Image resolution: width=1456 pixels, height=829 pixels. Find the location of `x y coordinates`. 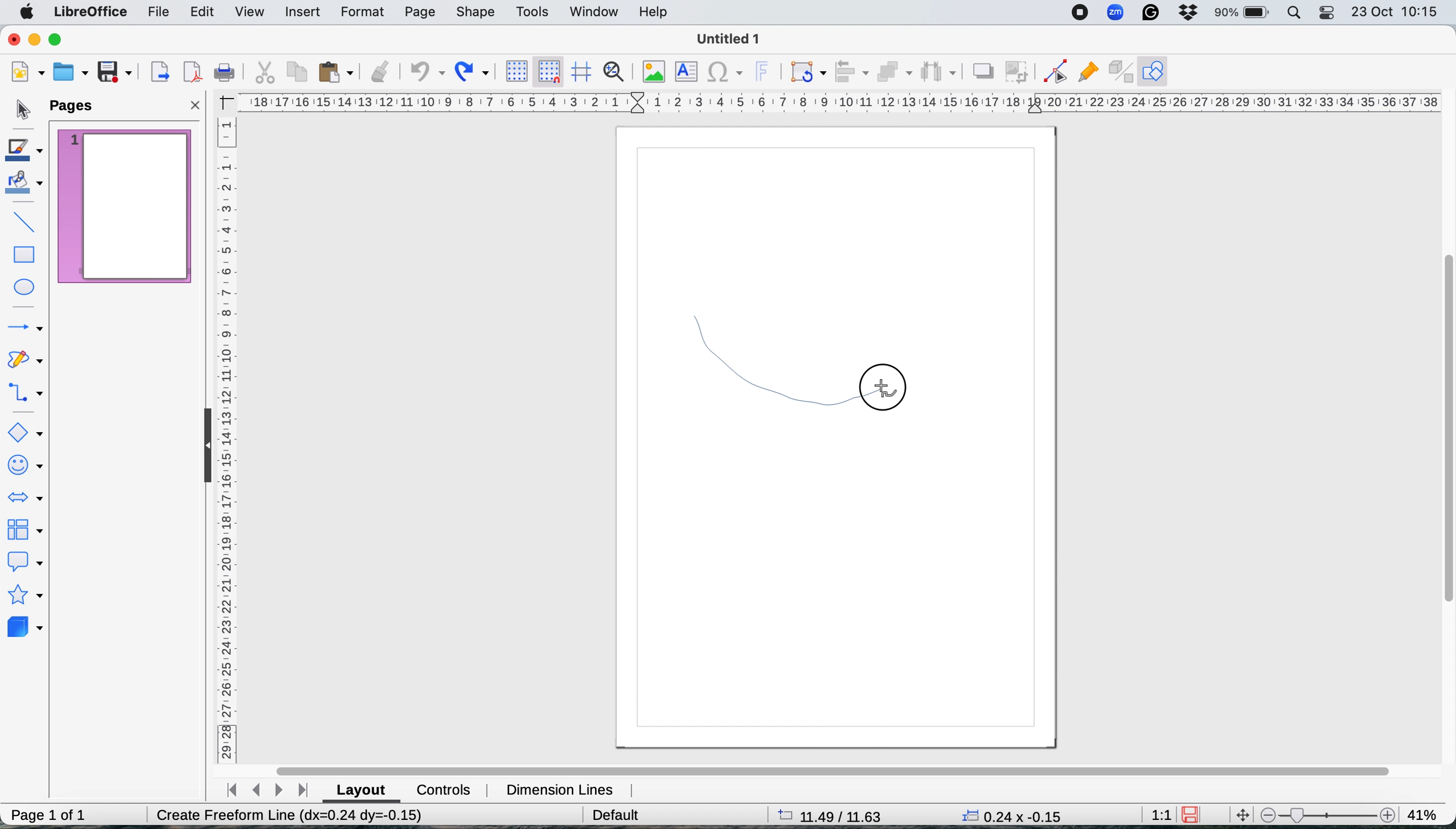

x y coordinates is located at coordinates (1012, 815).